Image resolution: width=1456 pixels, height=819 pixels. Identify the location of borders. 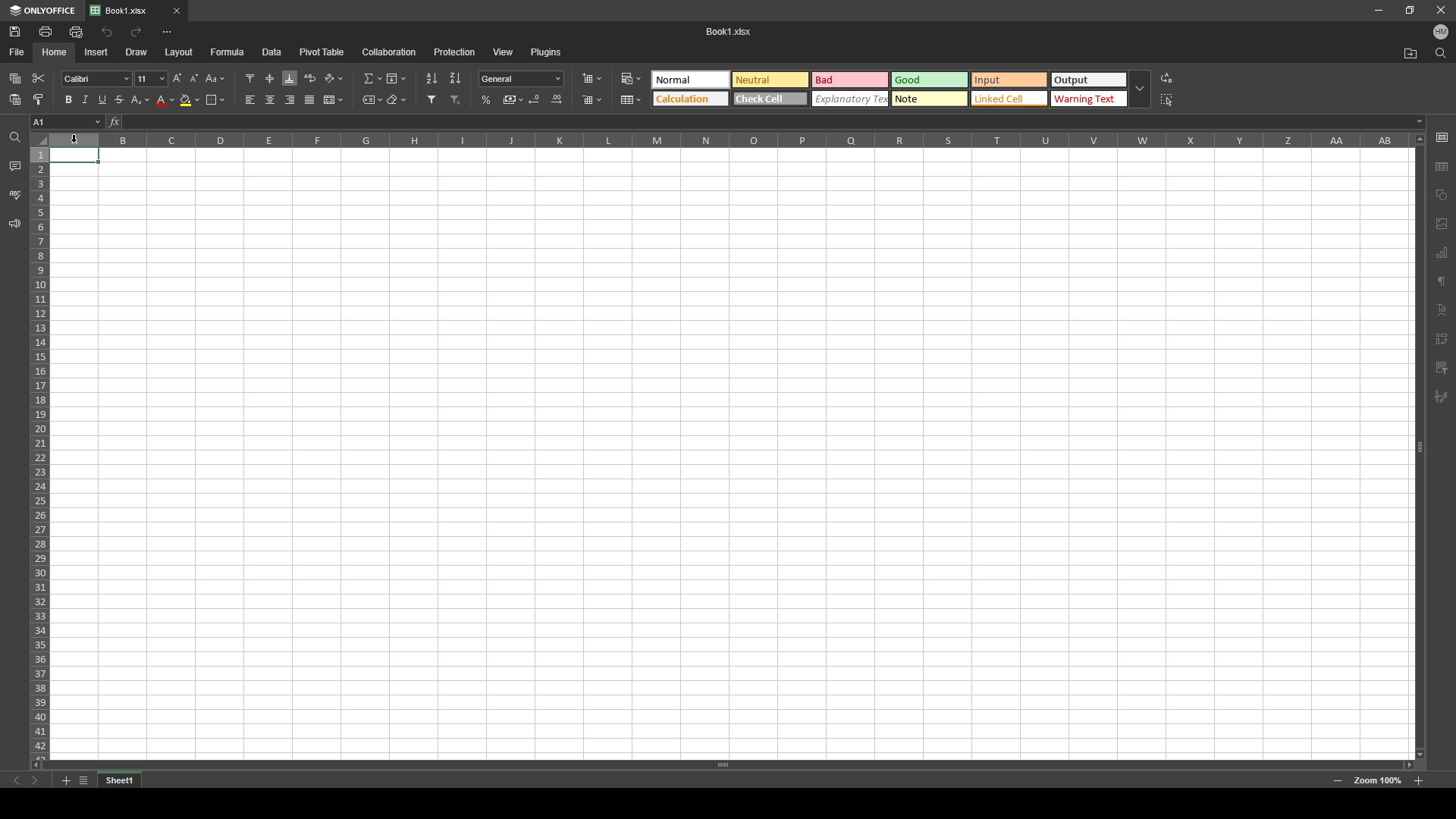
(215, 99).